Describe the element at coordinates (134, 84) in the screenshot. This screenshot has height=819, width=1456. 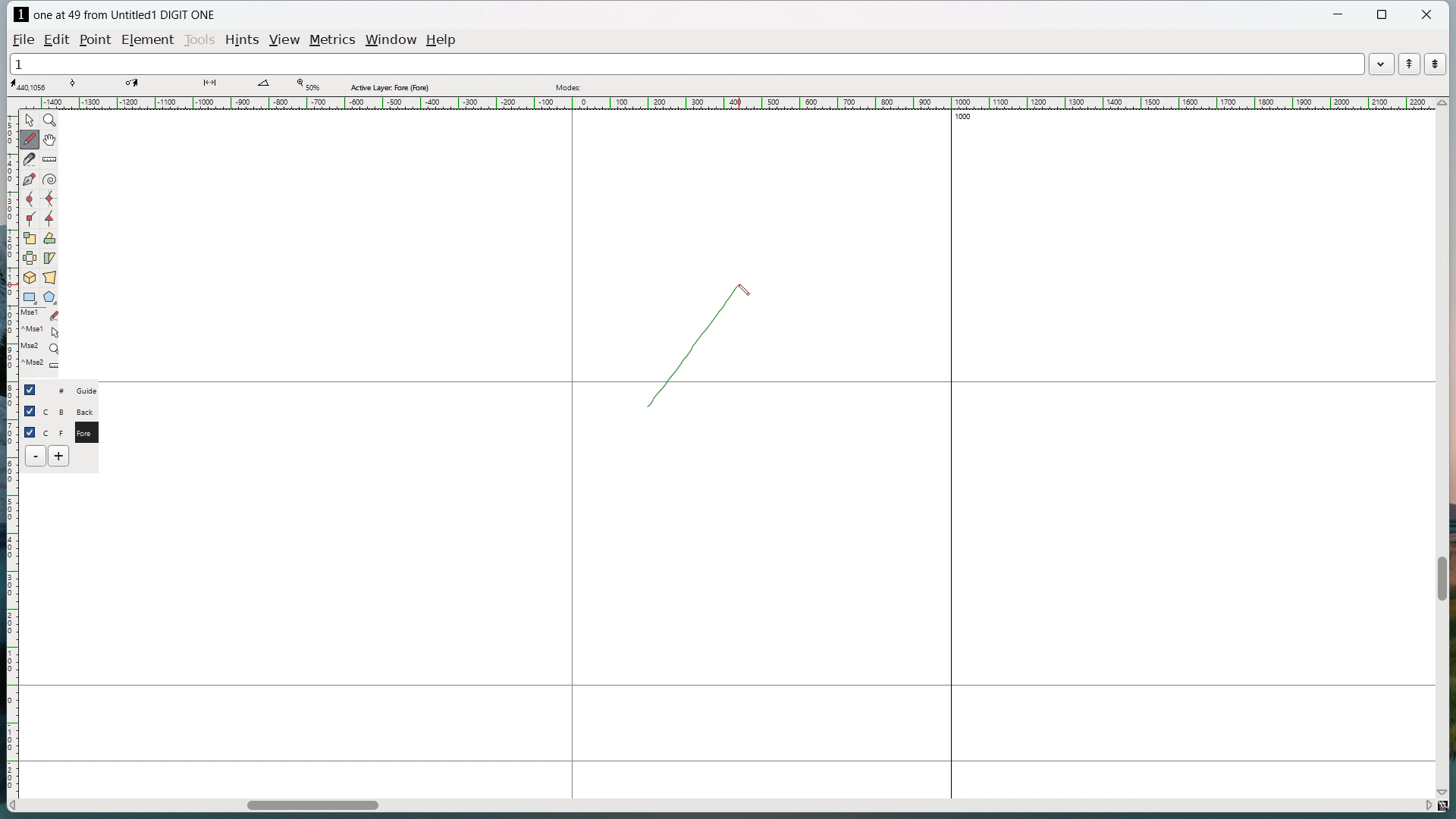
I see `coordinate of destination` at that location.